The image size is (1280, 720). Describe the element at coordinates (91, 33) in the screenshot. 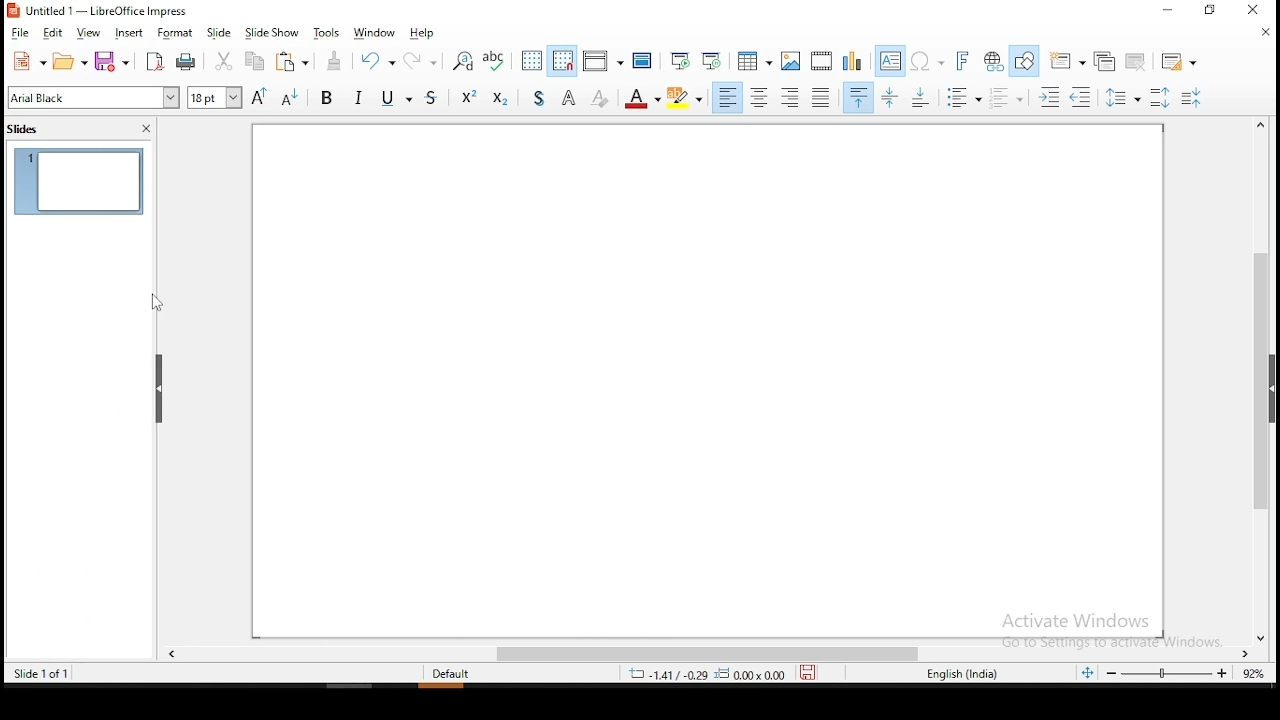

I see `view` at that location.